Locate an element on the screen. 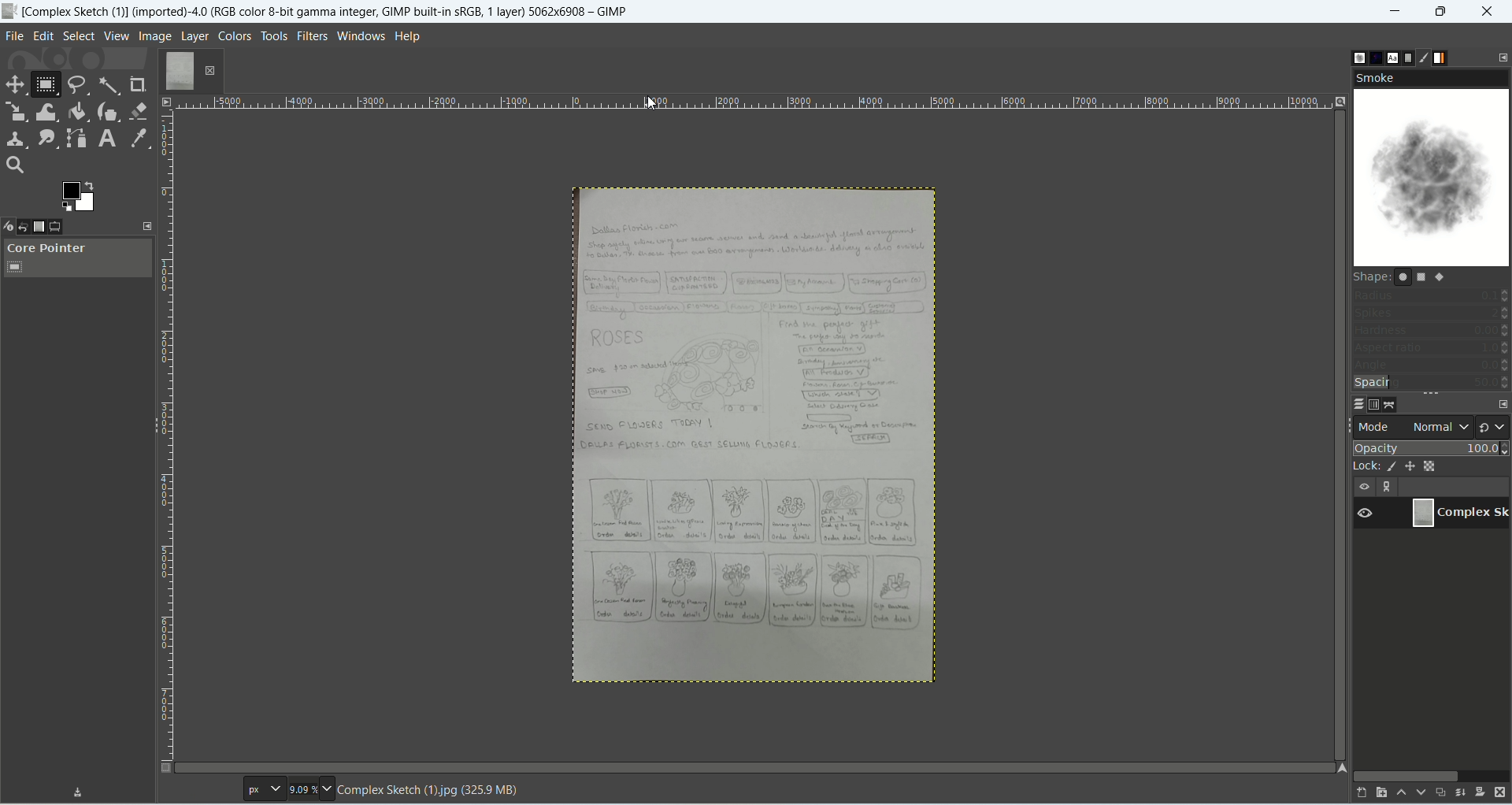  lock position and size is located at coordinates (1411, 467).